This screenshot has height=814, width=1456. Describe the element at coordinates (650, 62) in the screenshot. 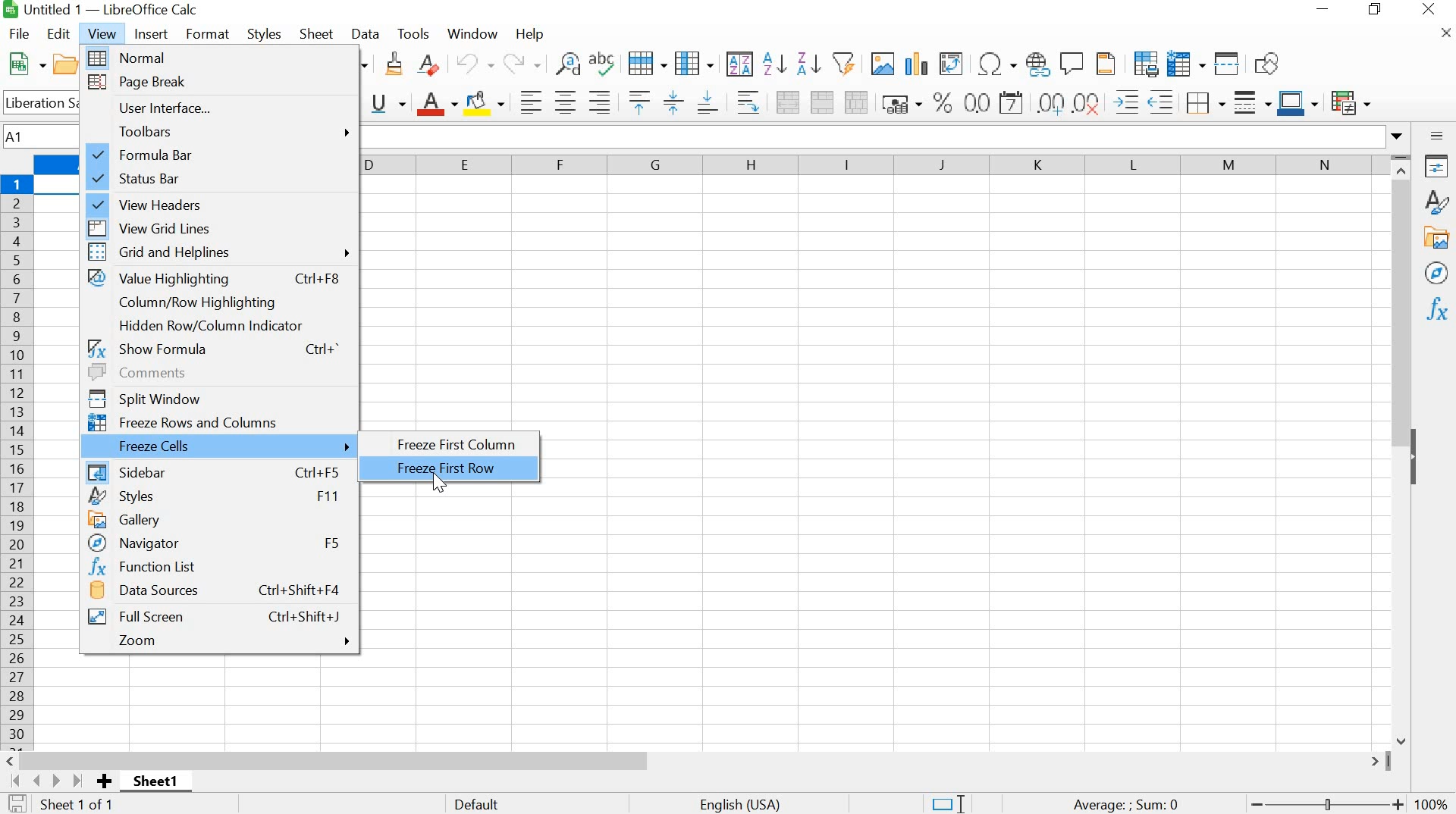

I see `ROW` at that location.